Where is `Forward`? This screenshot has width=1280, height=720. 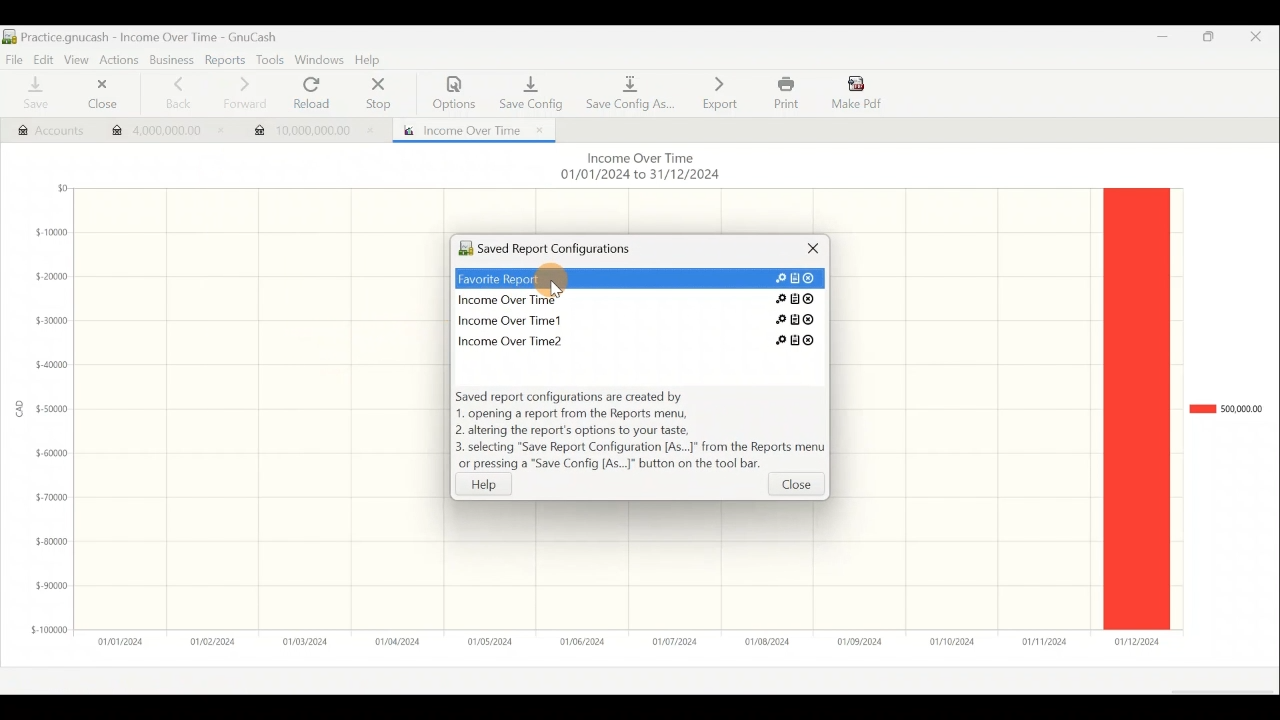
Forward is located at coordinates (243, 93).